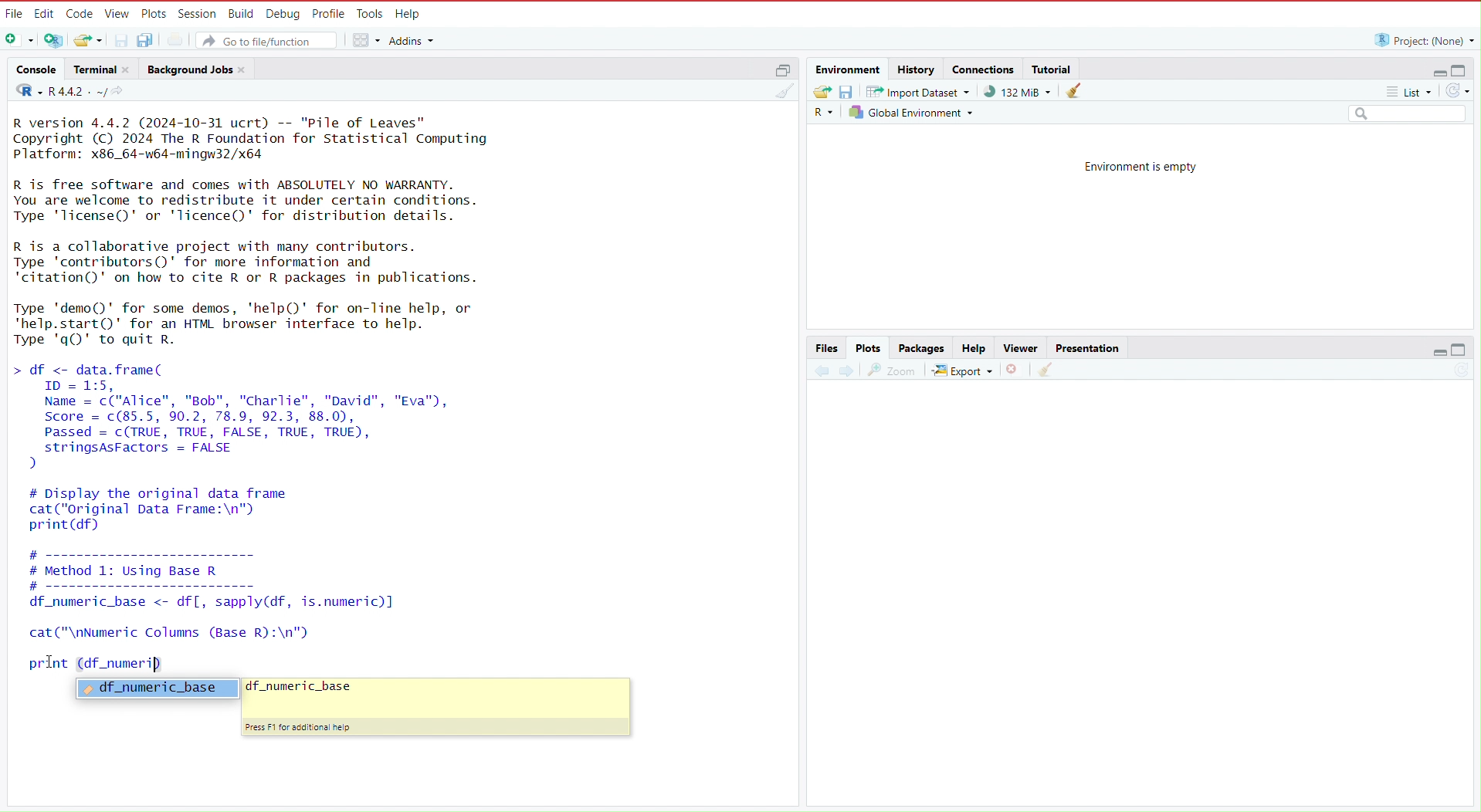  What do you see at coordinates (822, 112) in the screenshot?
I see `Language select` at bounding box center [822, 112].